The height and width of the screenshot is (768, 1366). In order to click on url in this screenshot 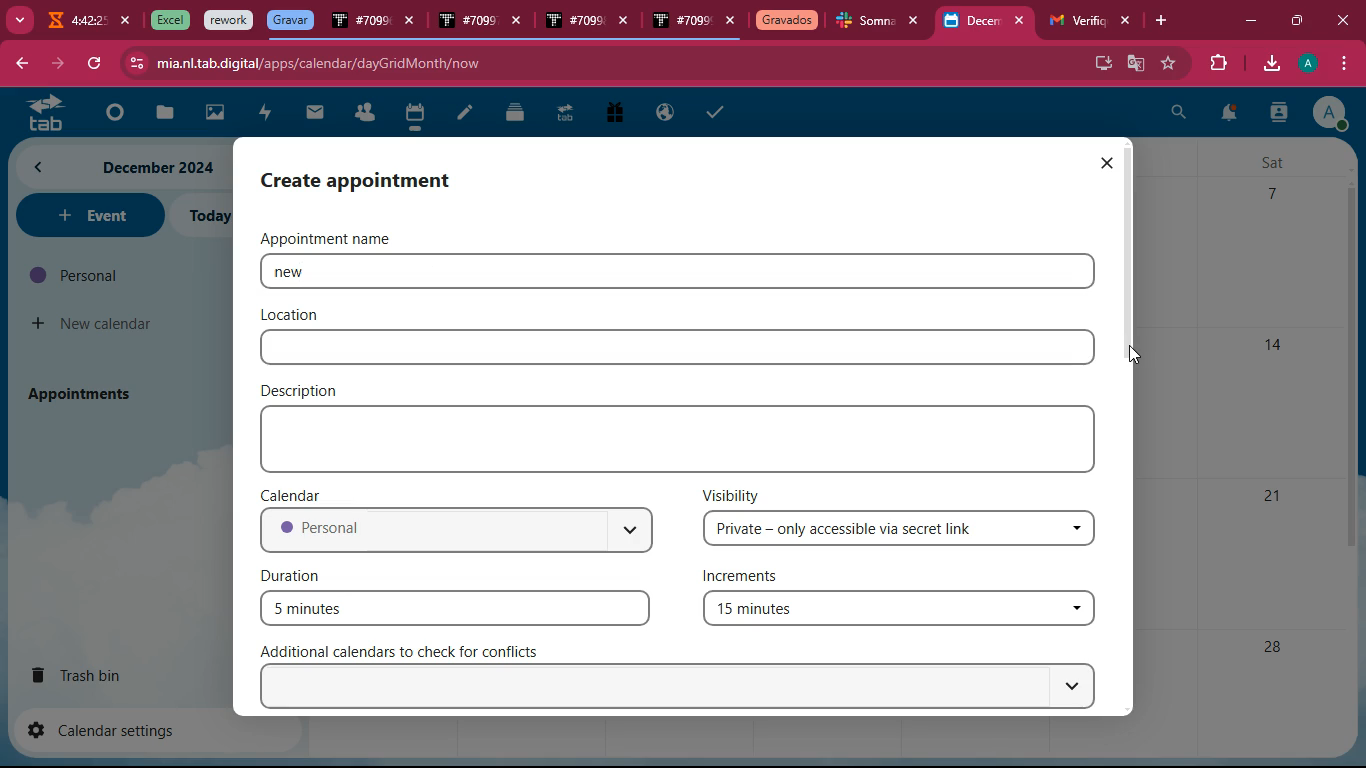, I will do `click(318, 63)`.